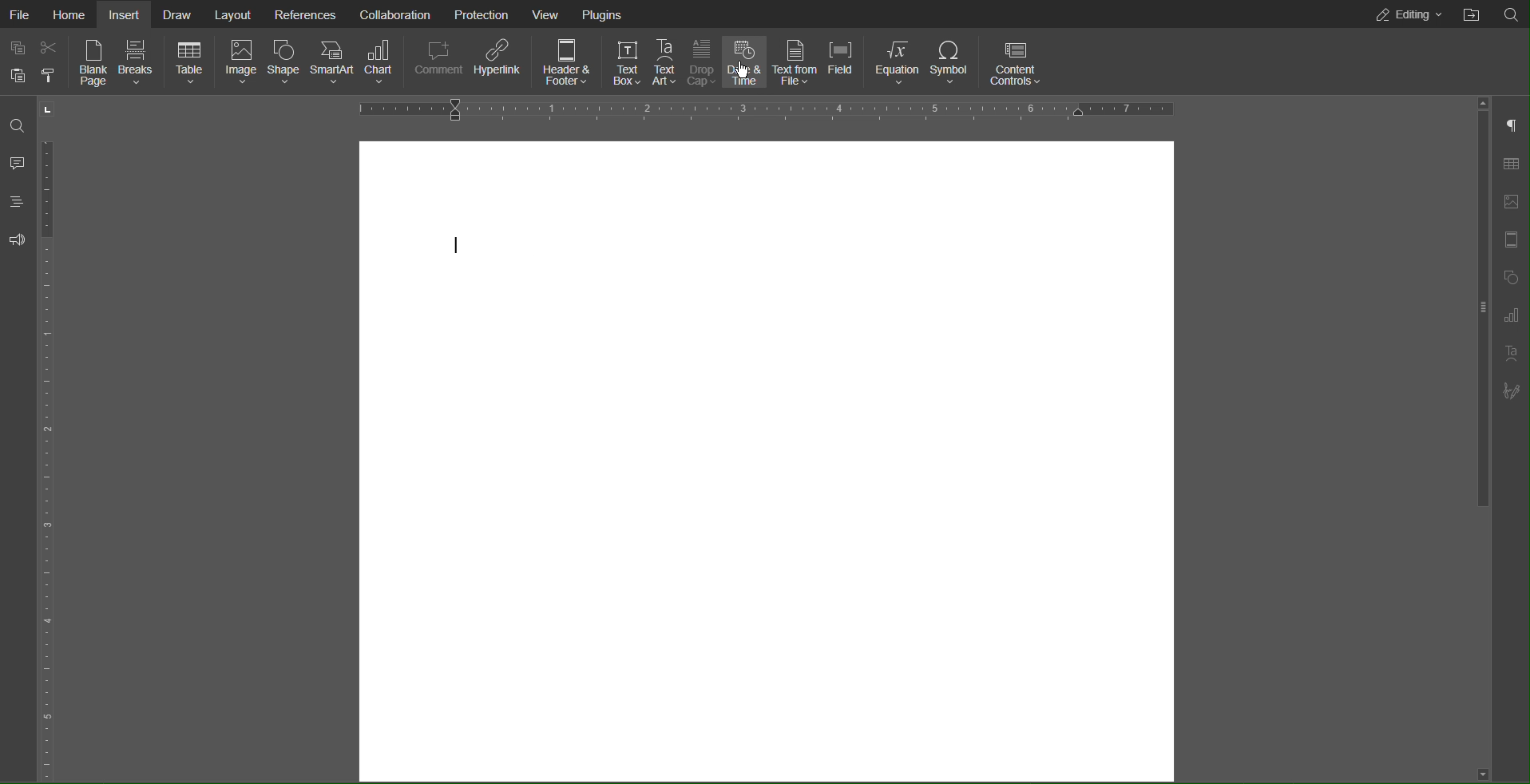  I want to click on Open File Location, so click(1512, 14).